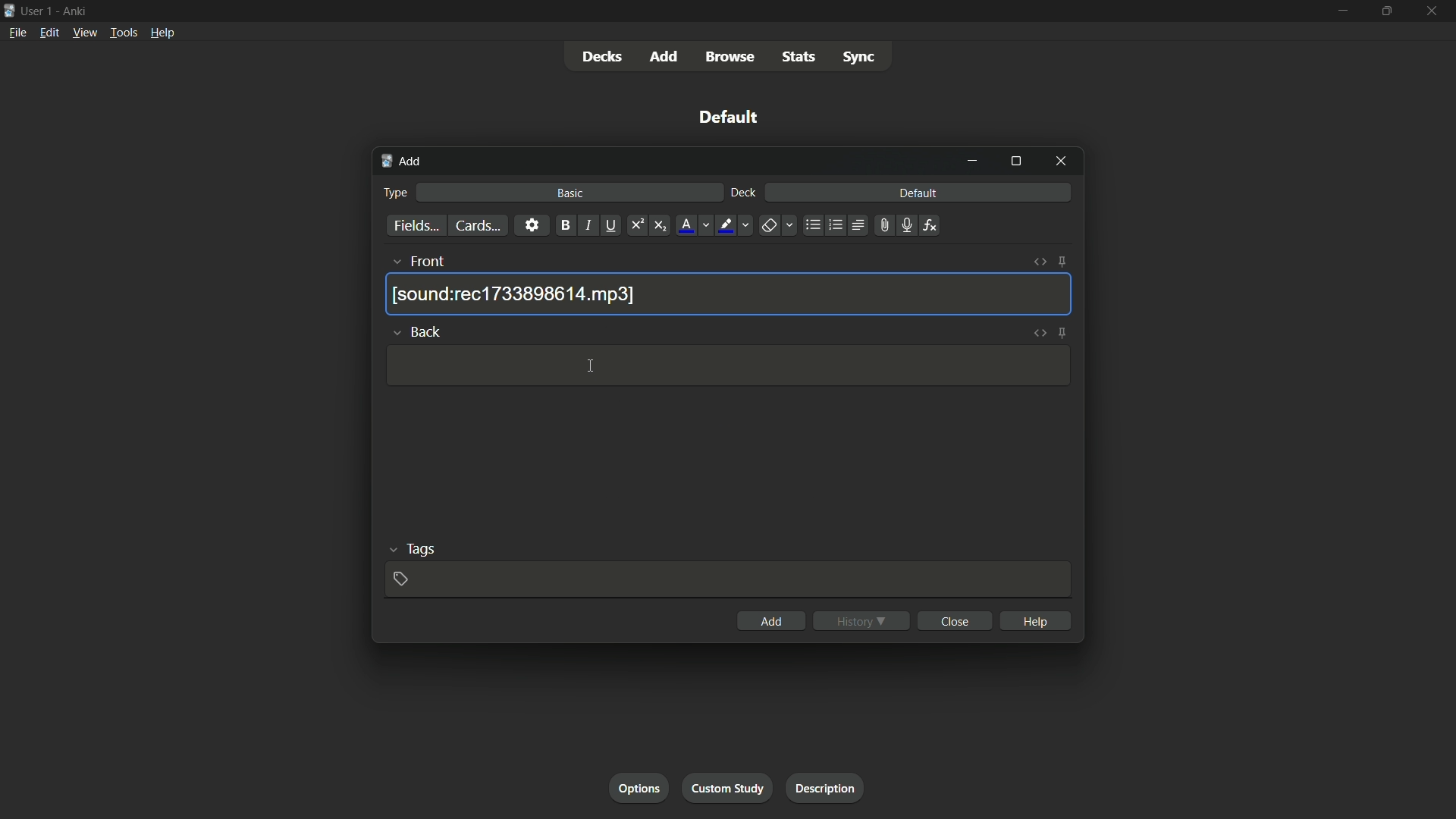 Image resolution: width=1456 pixels, height=819 pixels. I want to click on tools menu, so click(124, 33).